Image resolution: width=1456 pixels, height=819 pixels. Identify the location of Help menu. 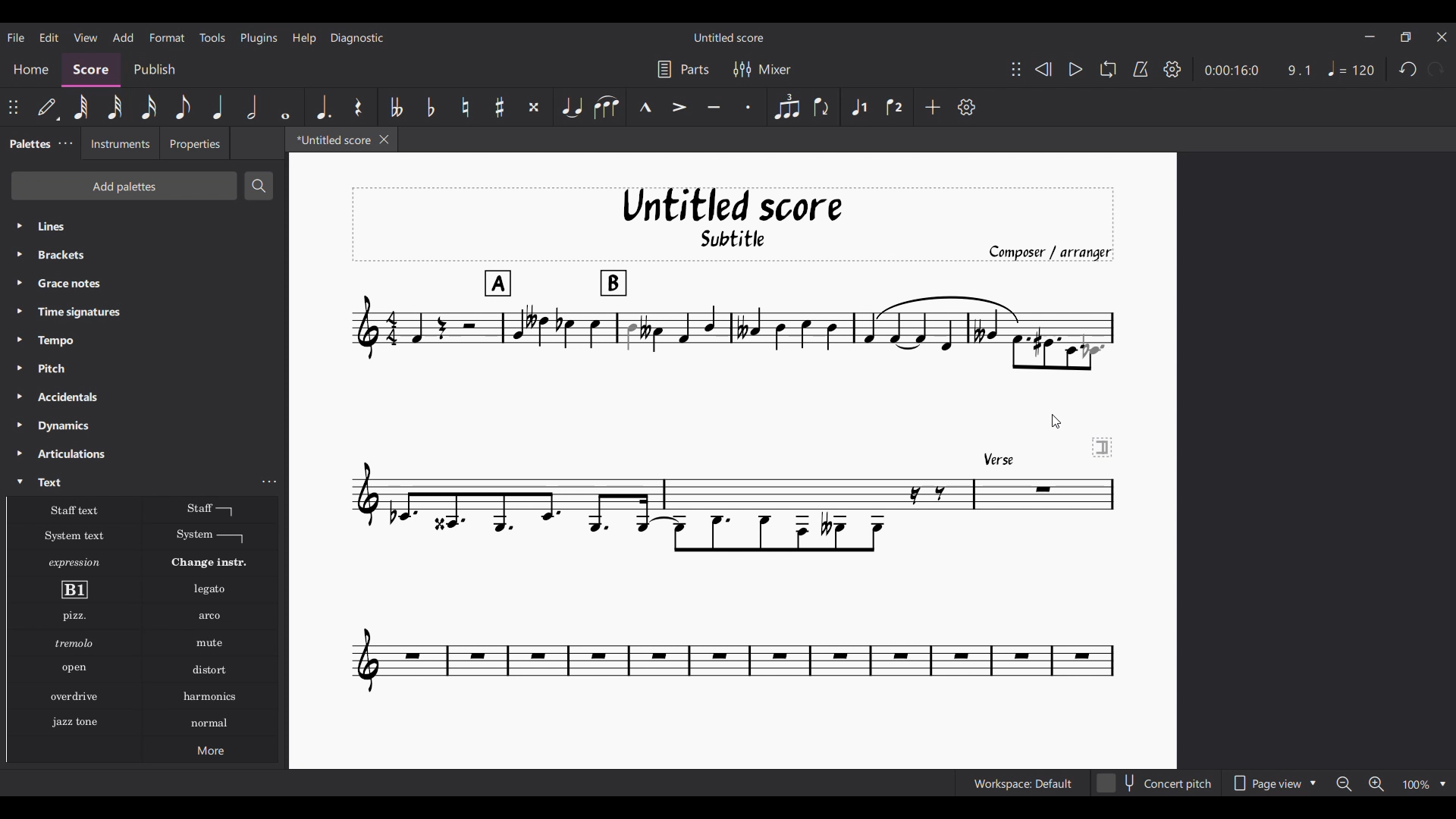
(304, 38).